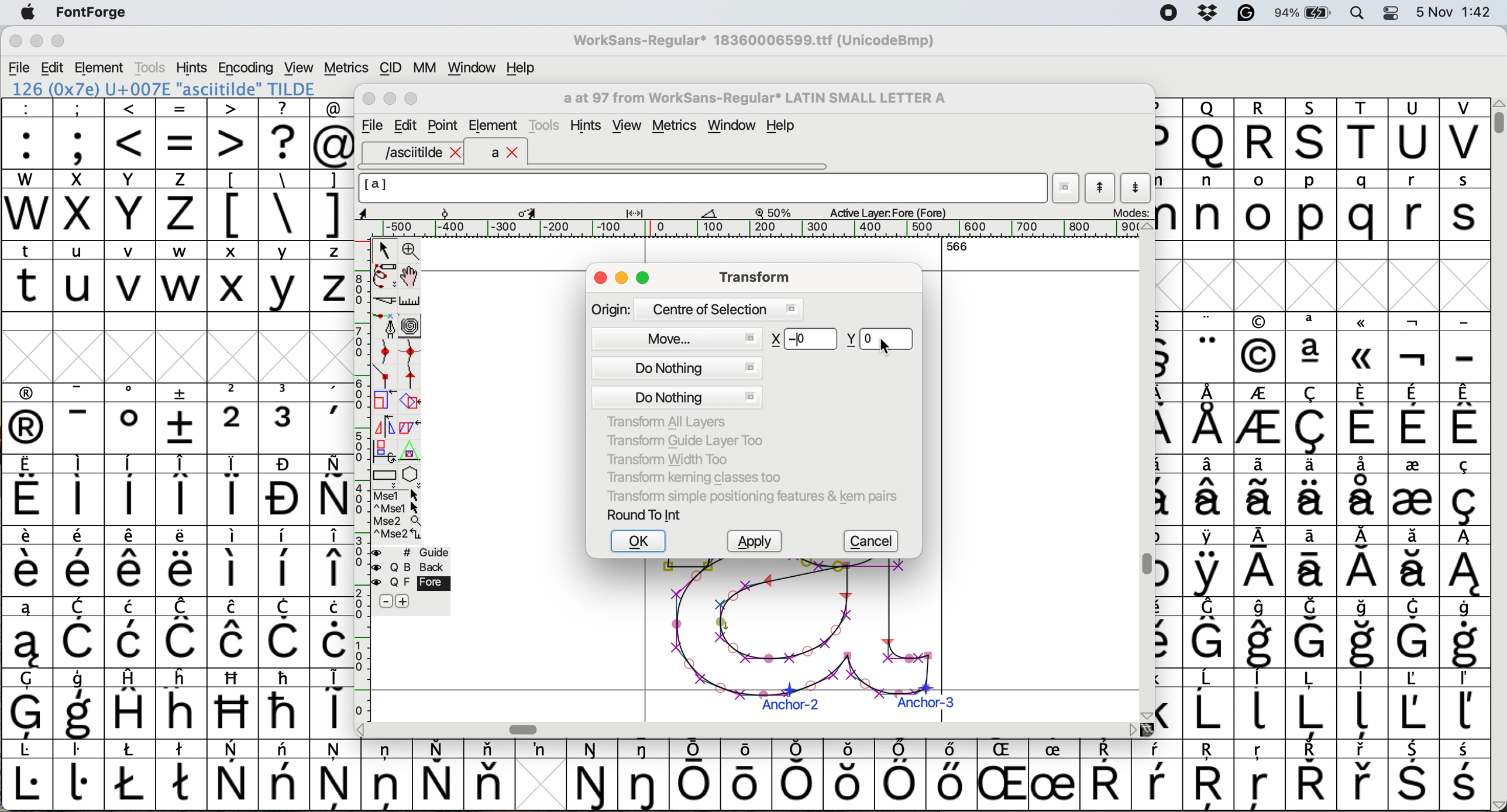  I want to click on 566, so click(957, 246).